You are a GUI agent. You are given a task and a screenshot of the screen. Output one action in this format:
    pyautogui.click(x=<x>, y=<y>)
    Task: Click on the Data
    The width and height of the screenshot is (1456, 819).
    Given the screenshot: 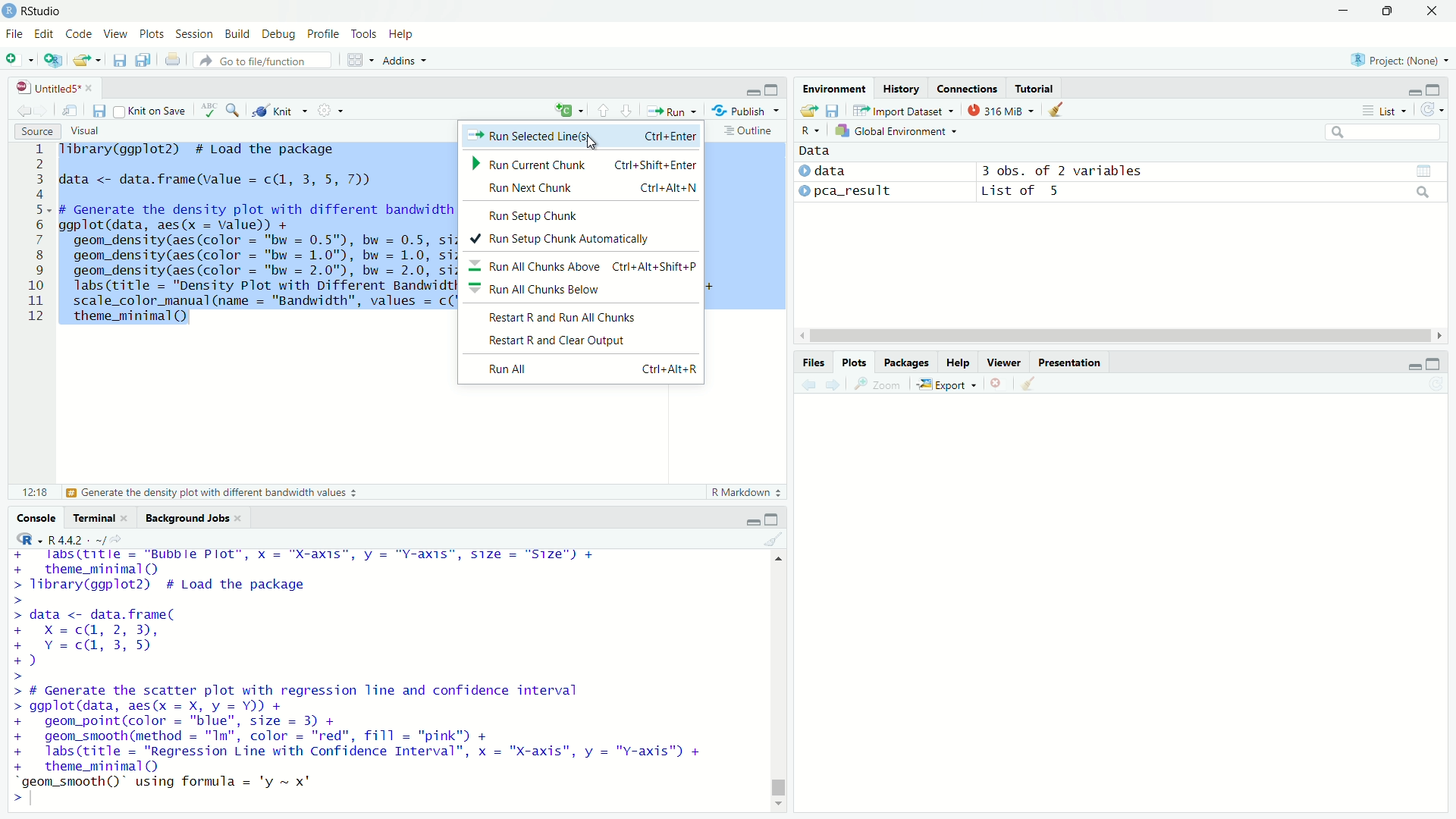 What is the action you would take?
    pyautogui.click(x=815, y=151)
    